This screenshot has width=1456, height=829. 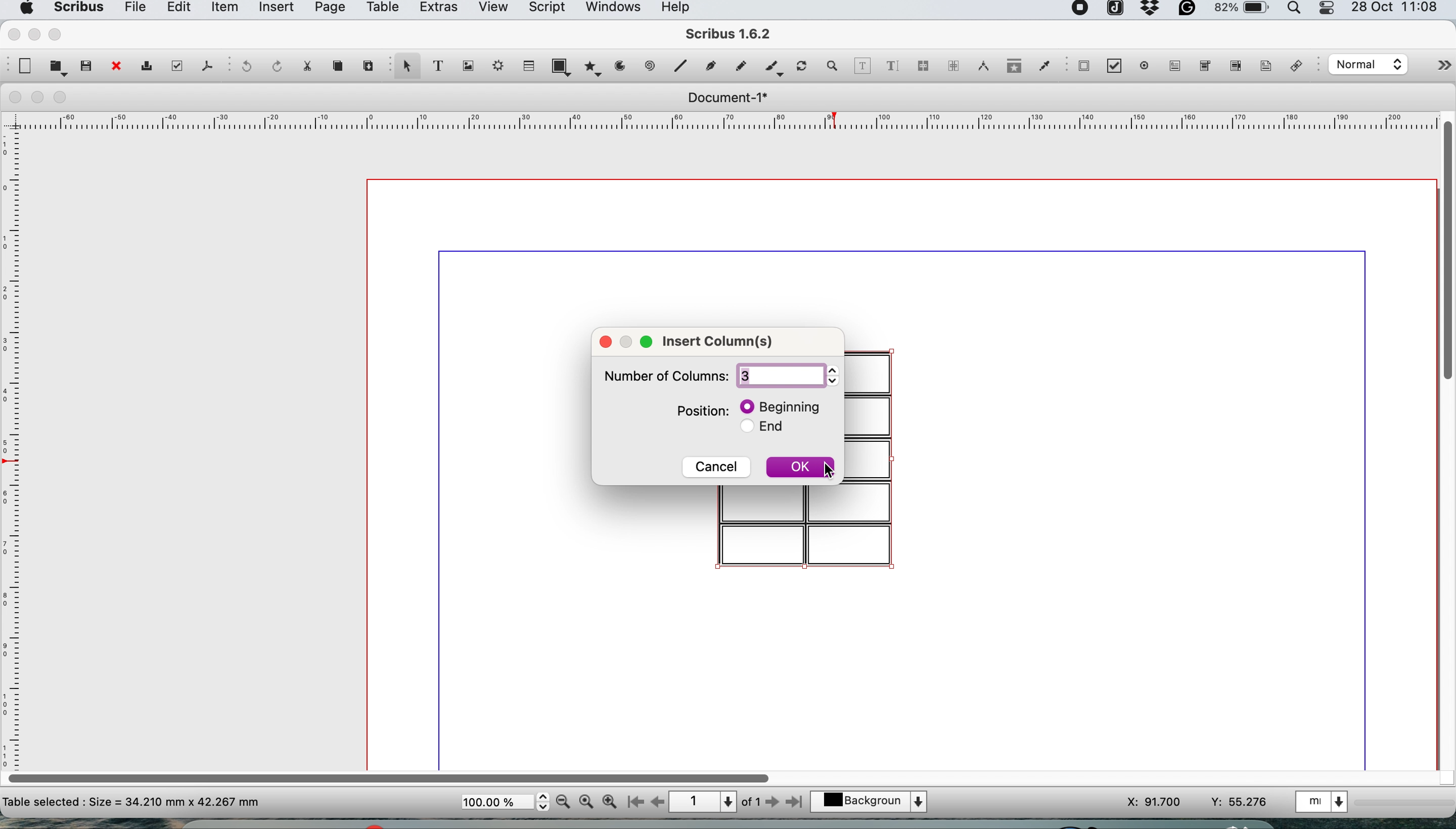 What do you see at coordinates (729, 35) in the screenshot?
I see `scribus` at bounding box center [729, 35].